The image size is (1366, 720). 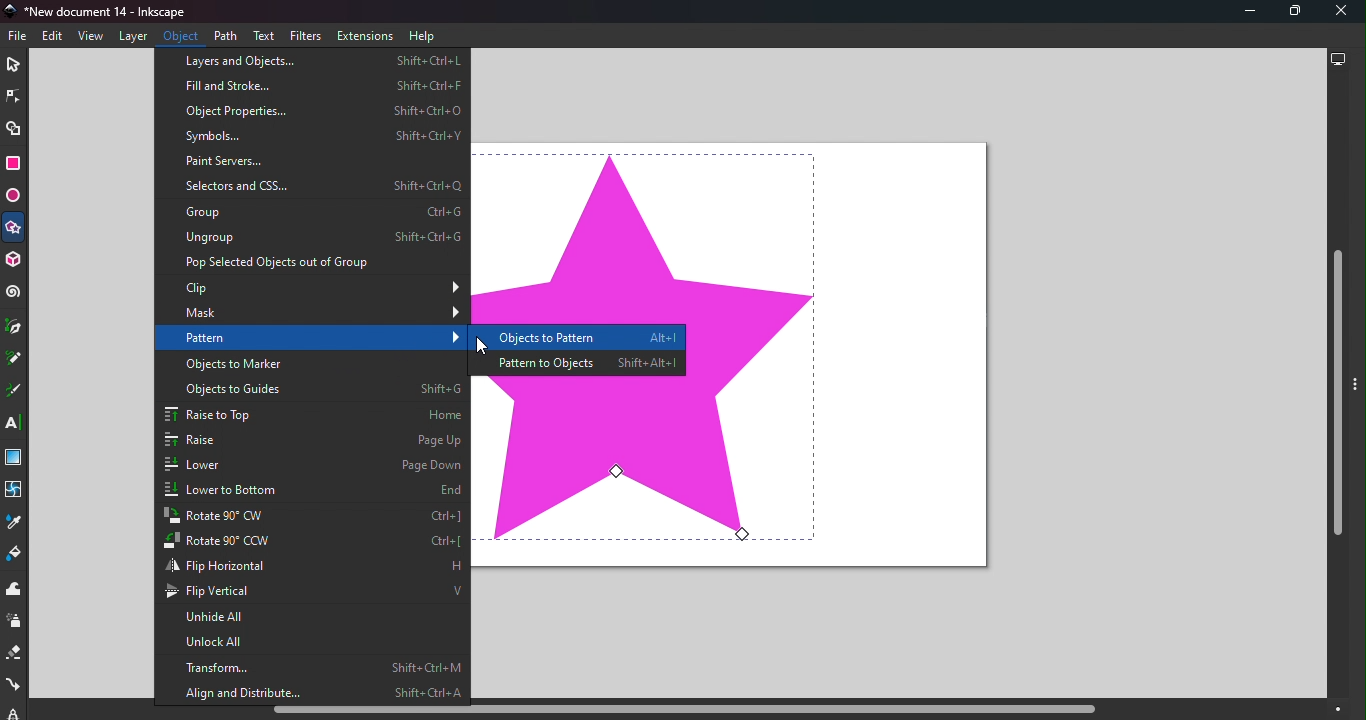 I want to click on Node tool, so click(x=12, y=96).